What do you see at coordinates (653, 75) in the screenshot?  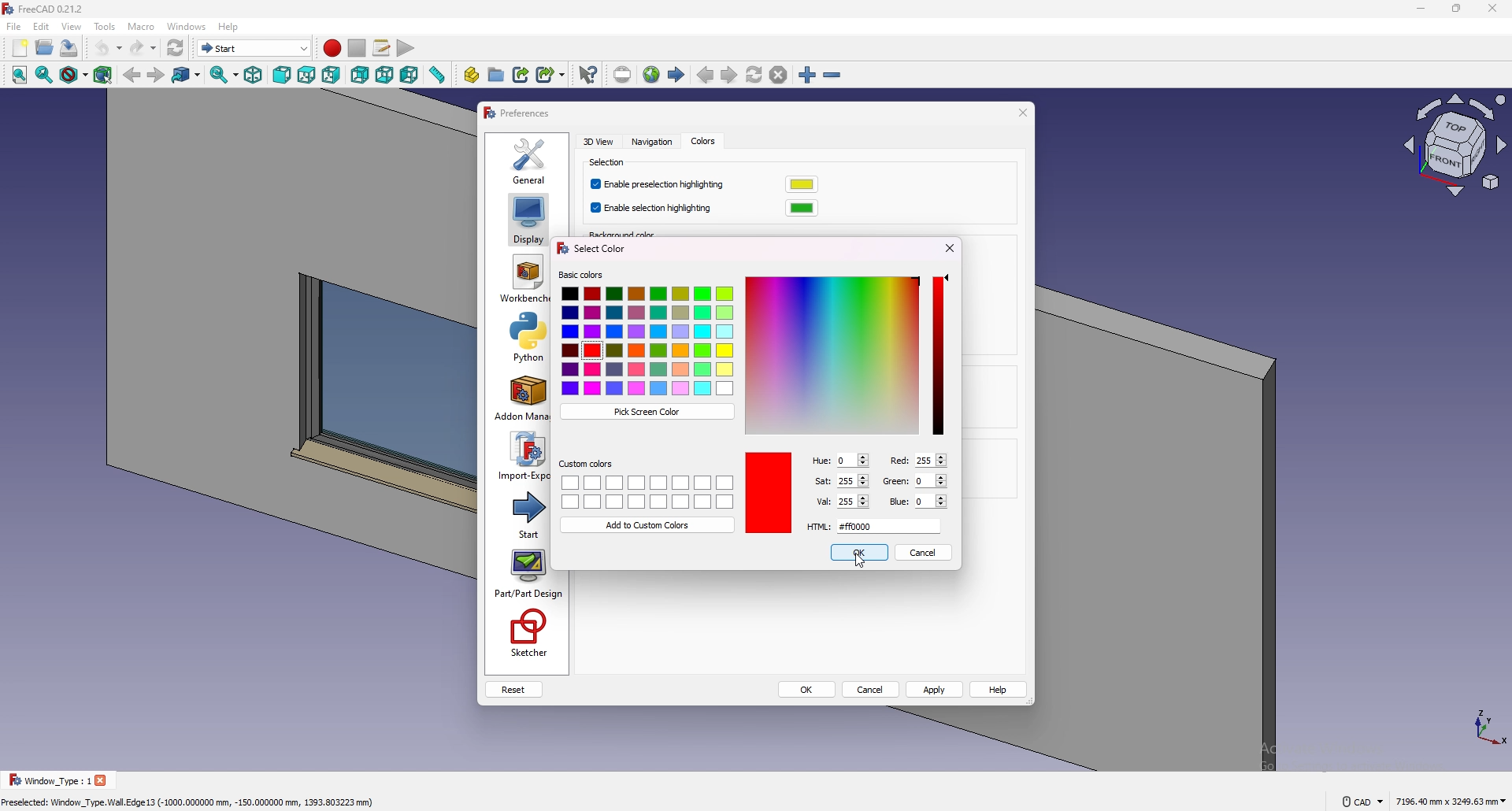 I see `open website` at bounding box center [653, 75].